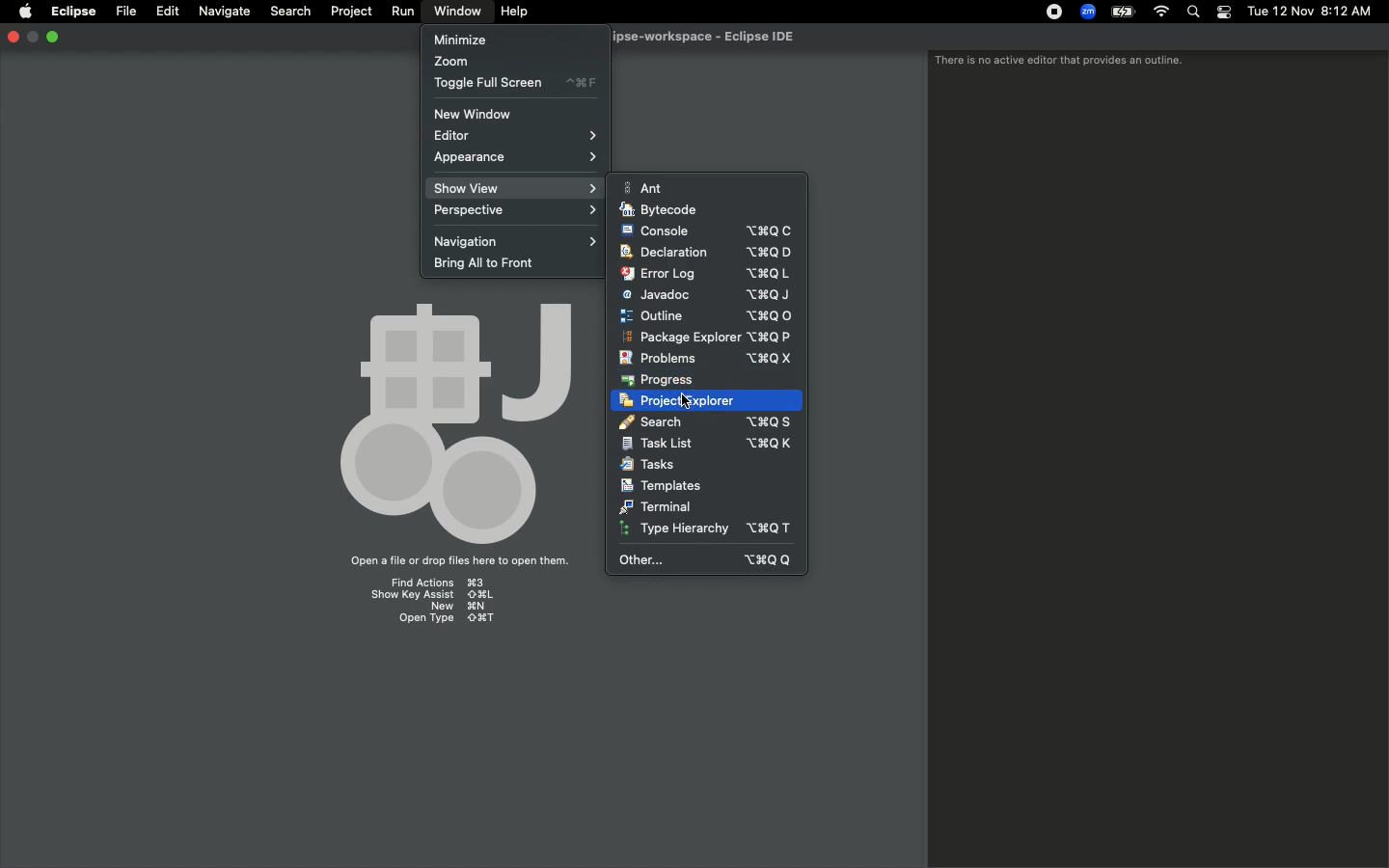  Describe the element at coordinates (663, 486) in the screenshot. I see `Templates` at that location.